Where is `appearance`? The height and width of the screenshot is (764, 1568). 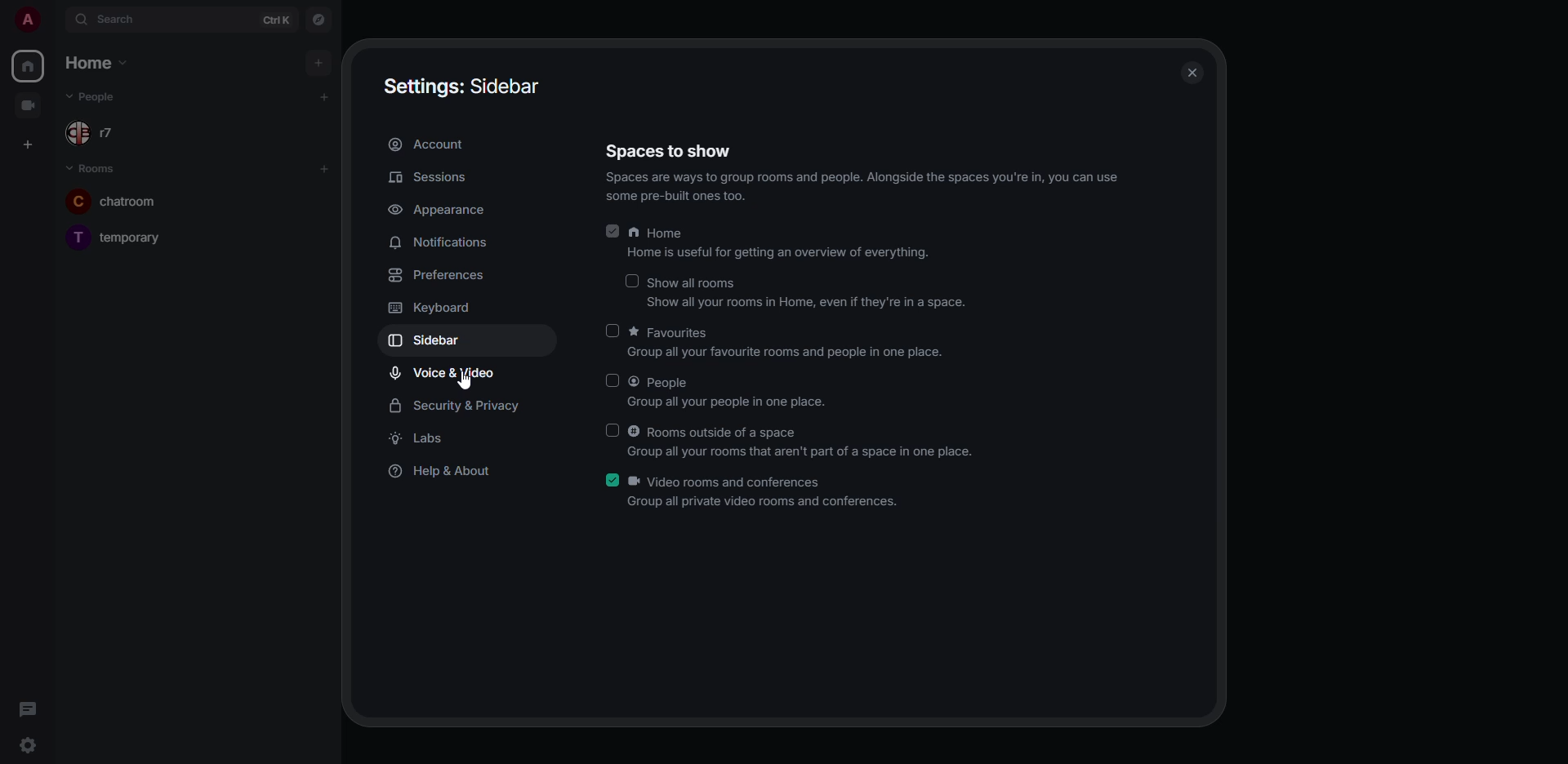
appearance is located at coordinates (439, 212).